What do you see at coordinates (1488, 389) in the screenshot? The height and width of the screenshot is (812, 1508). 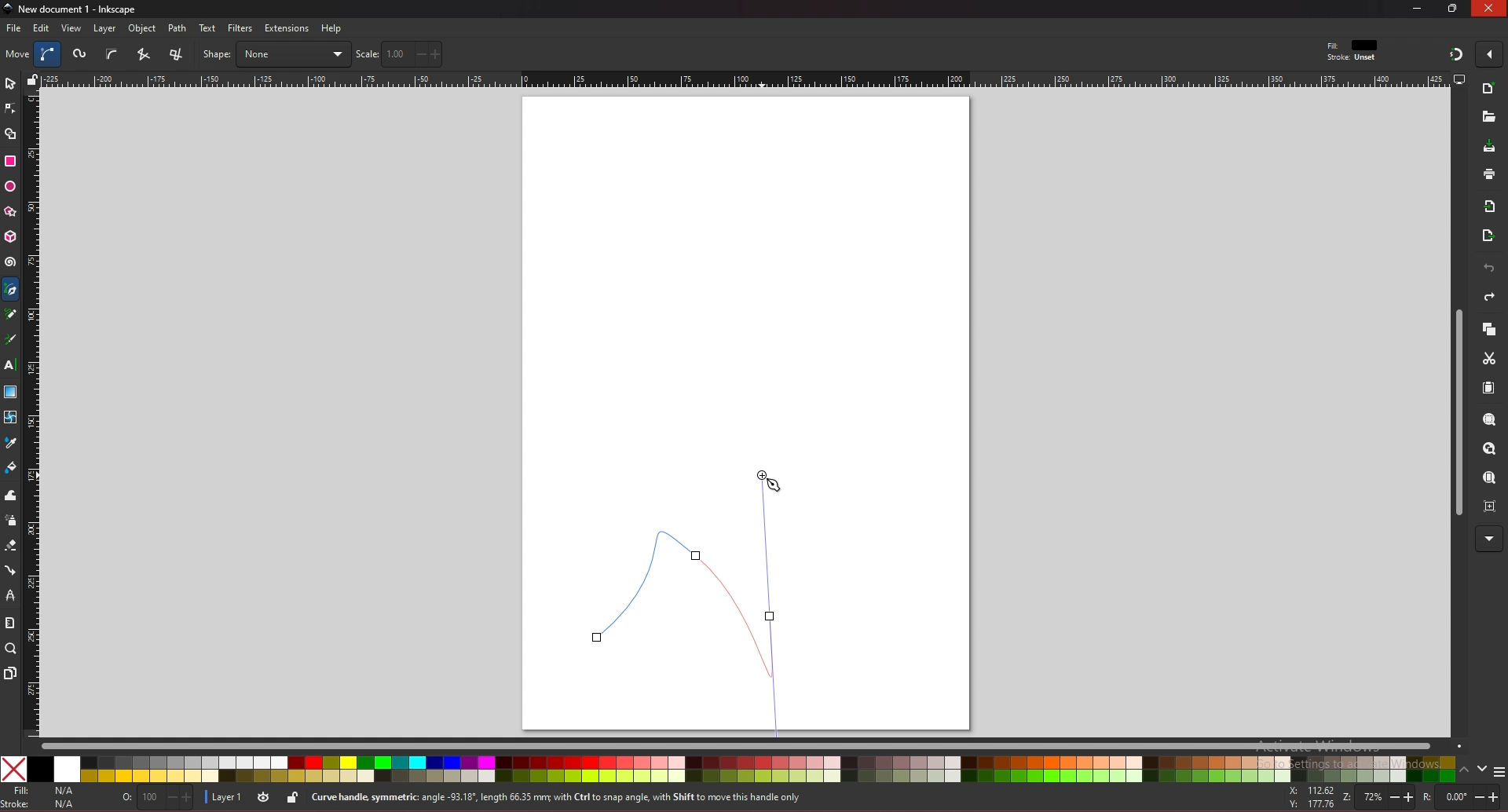 I see `paste` at bounding box center [1488, 389].